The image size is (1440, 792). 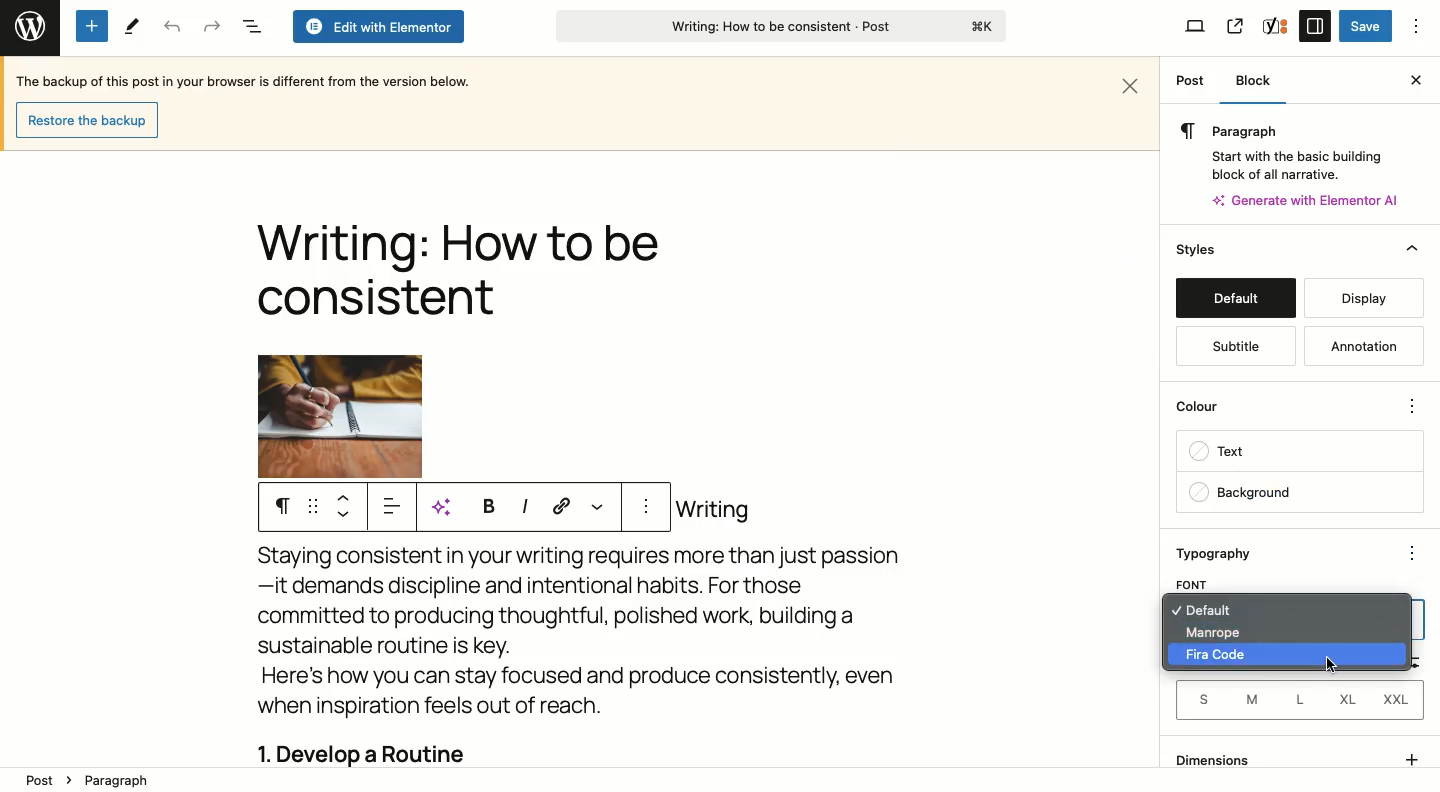 I want to click on Post, so click(x=42, y=776).